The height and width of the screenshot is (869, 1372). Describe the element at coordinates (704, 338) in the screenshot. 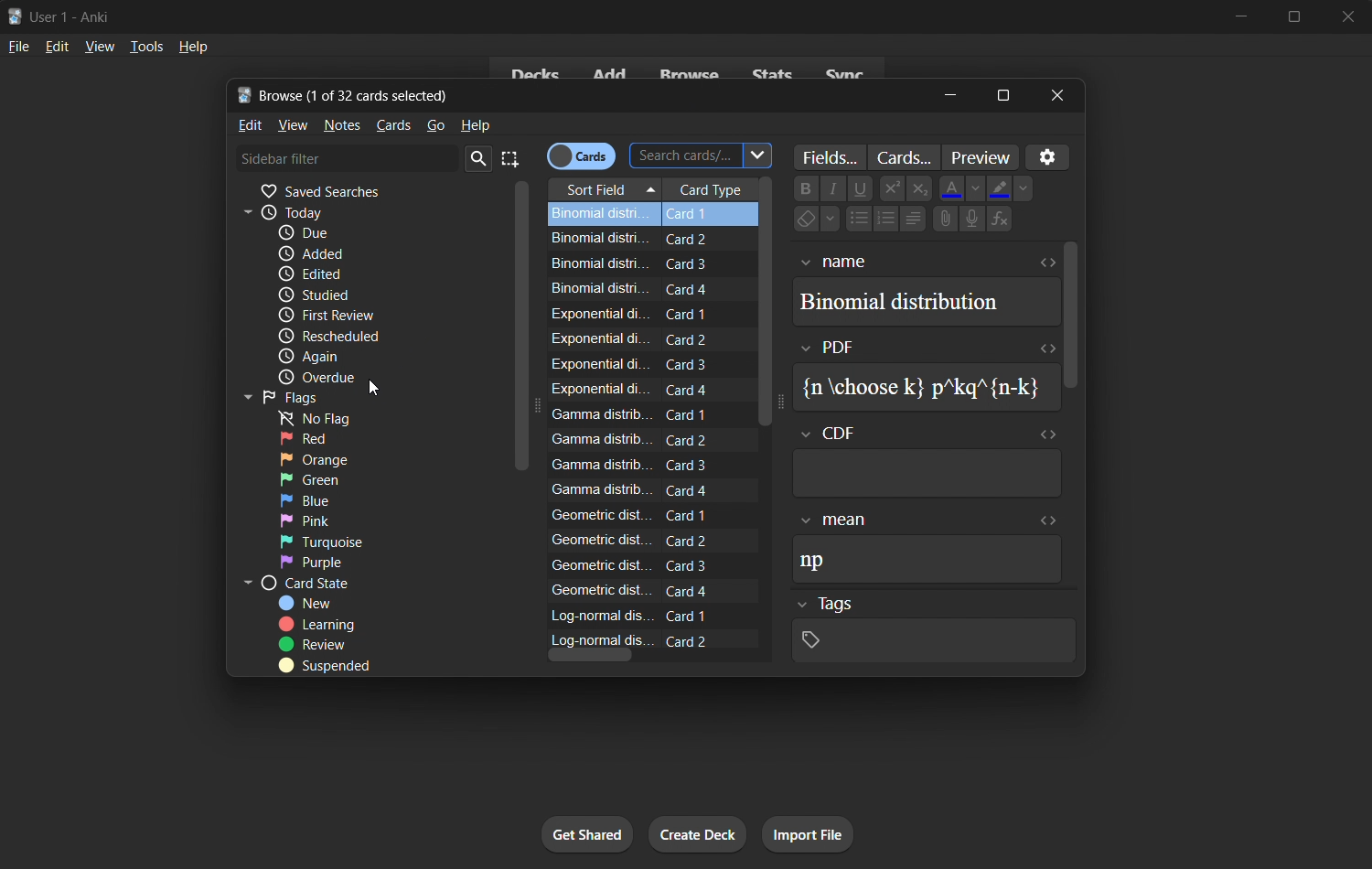

I see `Card 2` at that location.